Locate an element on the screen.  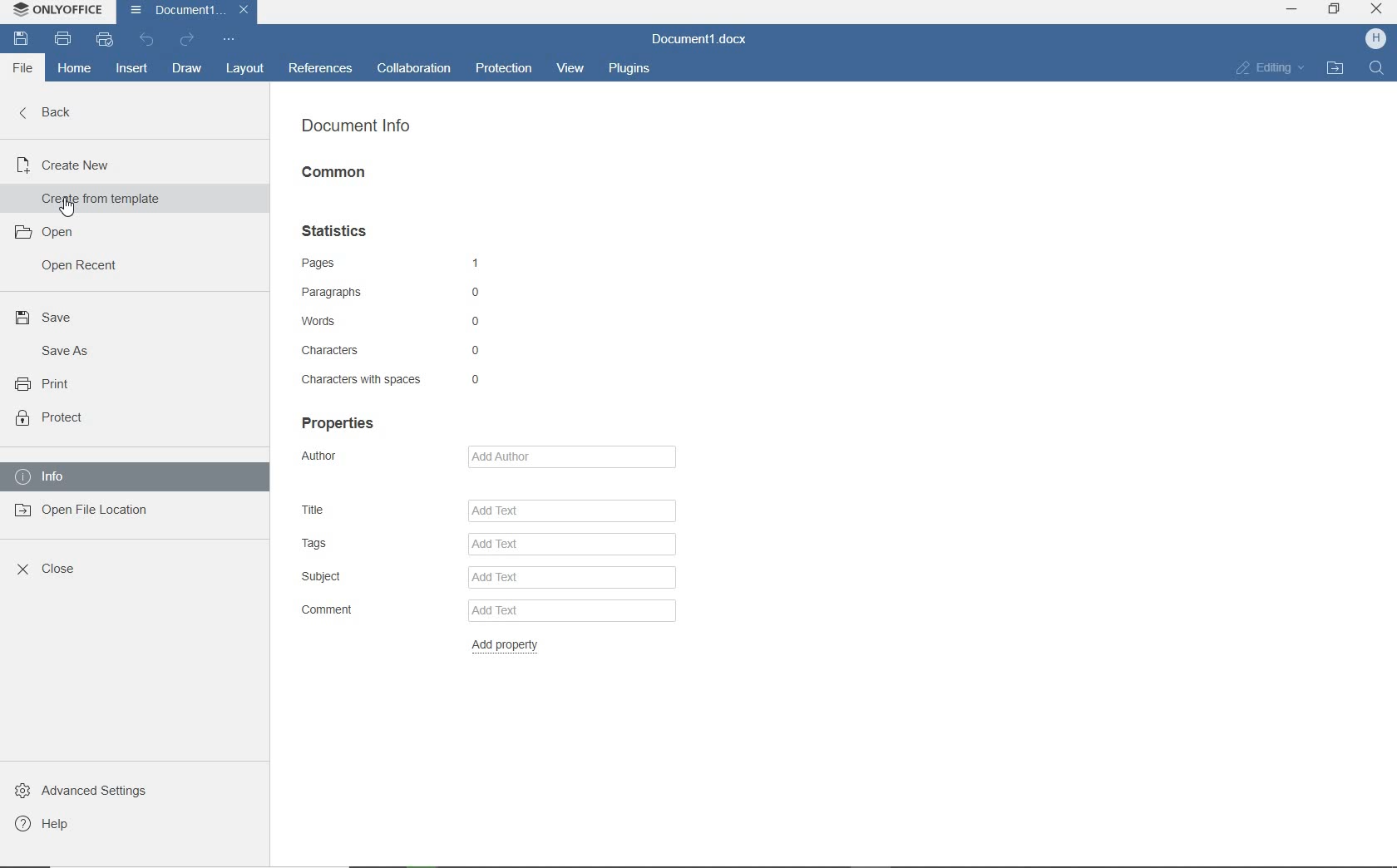
statistics is located at coordinates (342, 229).